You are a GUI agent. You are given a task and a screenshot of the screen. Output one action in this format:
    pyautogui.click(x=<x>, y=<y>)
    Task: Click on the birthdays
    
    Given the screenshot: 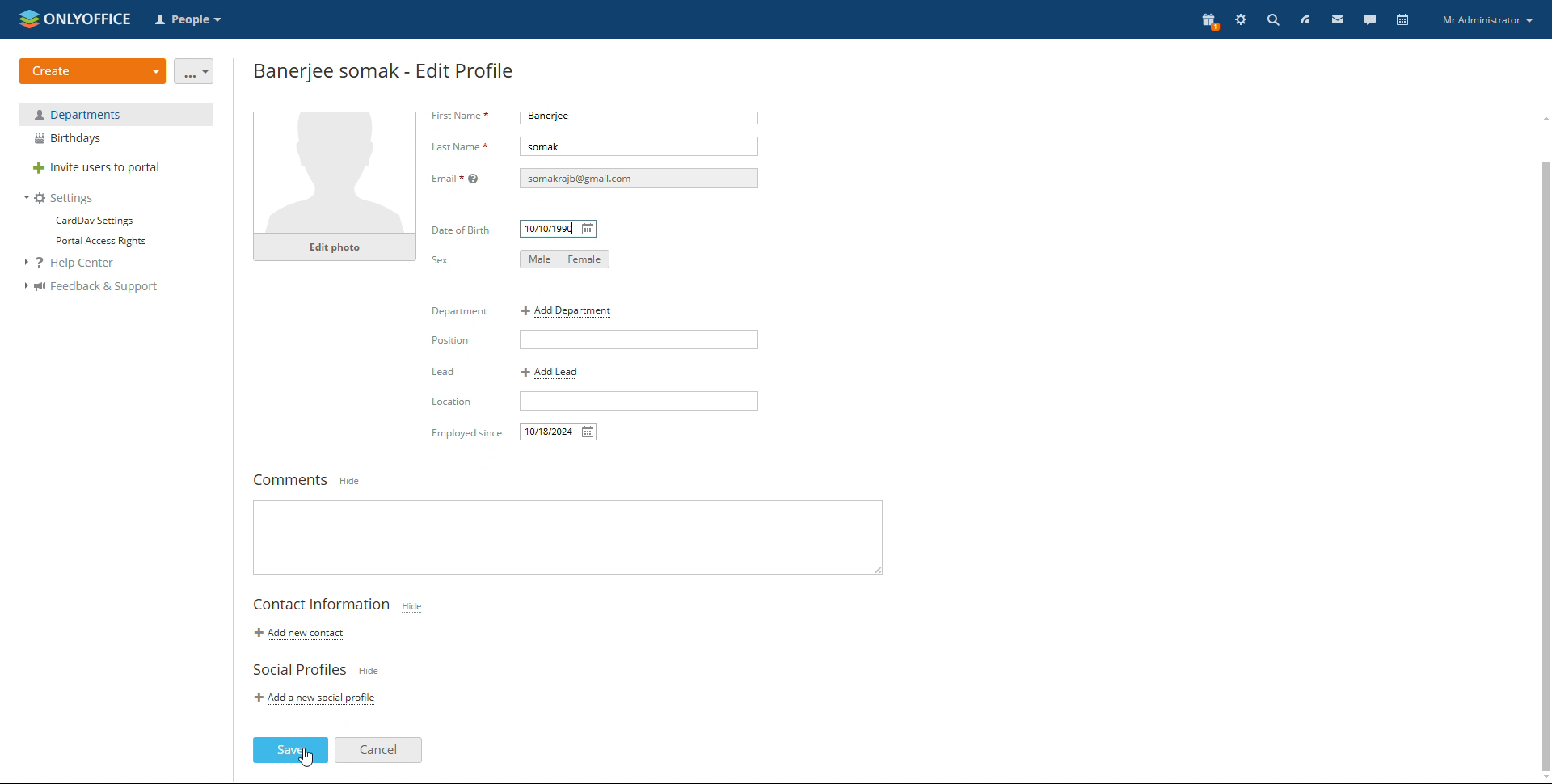 What is the action you would take?
    pyautogui.click(x=116, y=139)
    